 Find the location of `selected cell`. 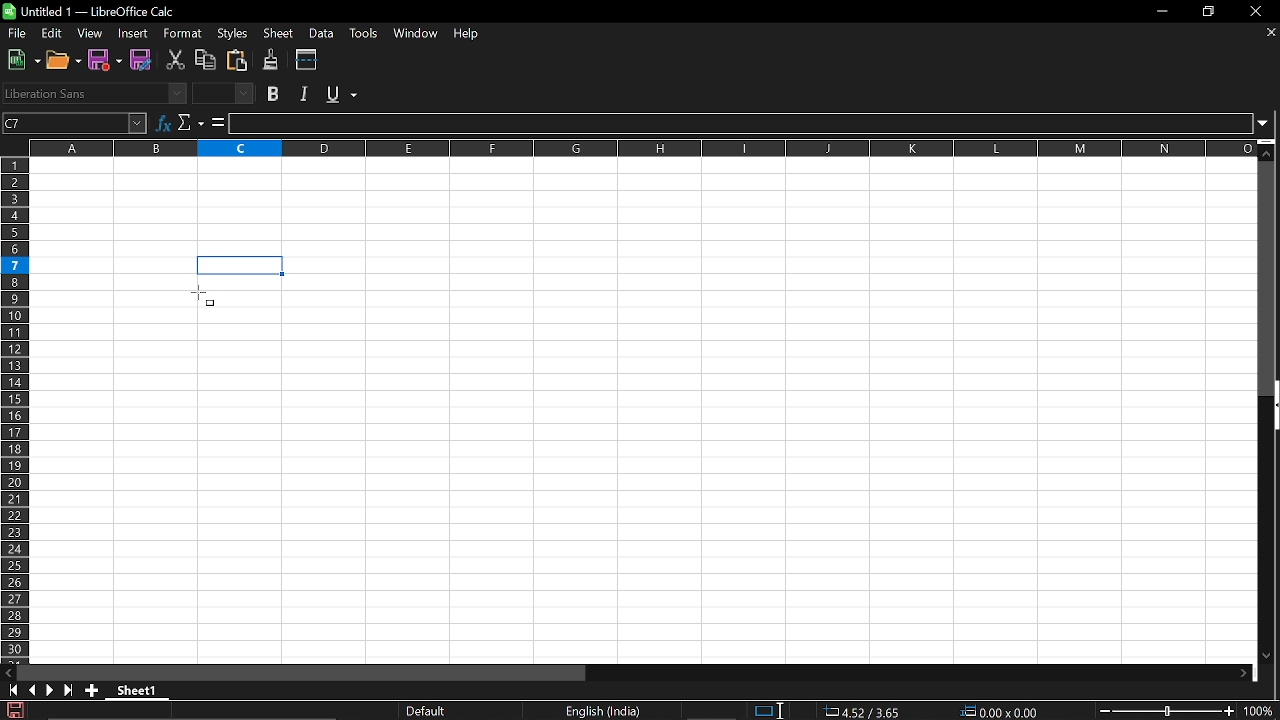

selected cell is located at coordinates (241, 266).